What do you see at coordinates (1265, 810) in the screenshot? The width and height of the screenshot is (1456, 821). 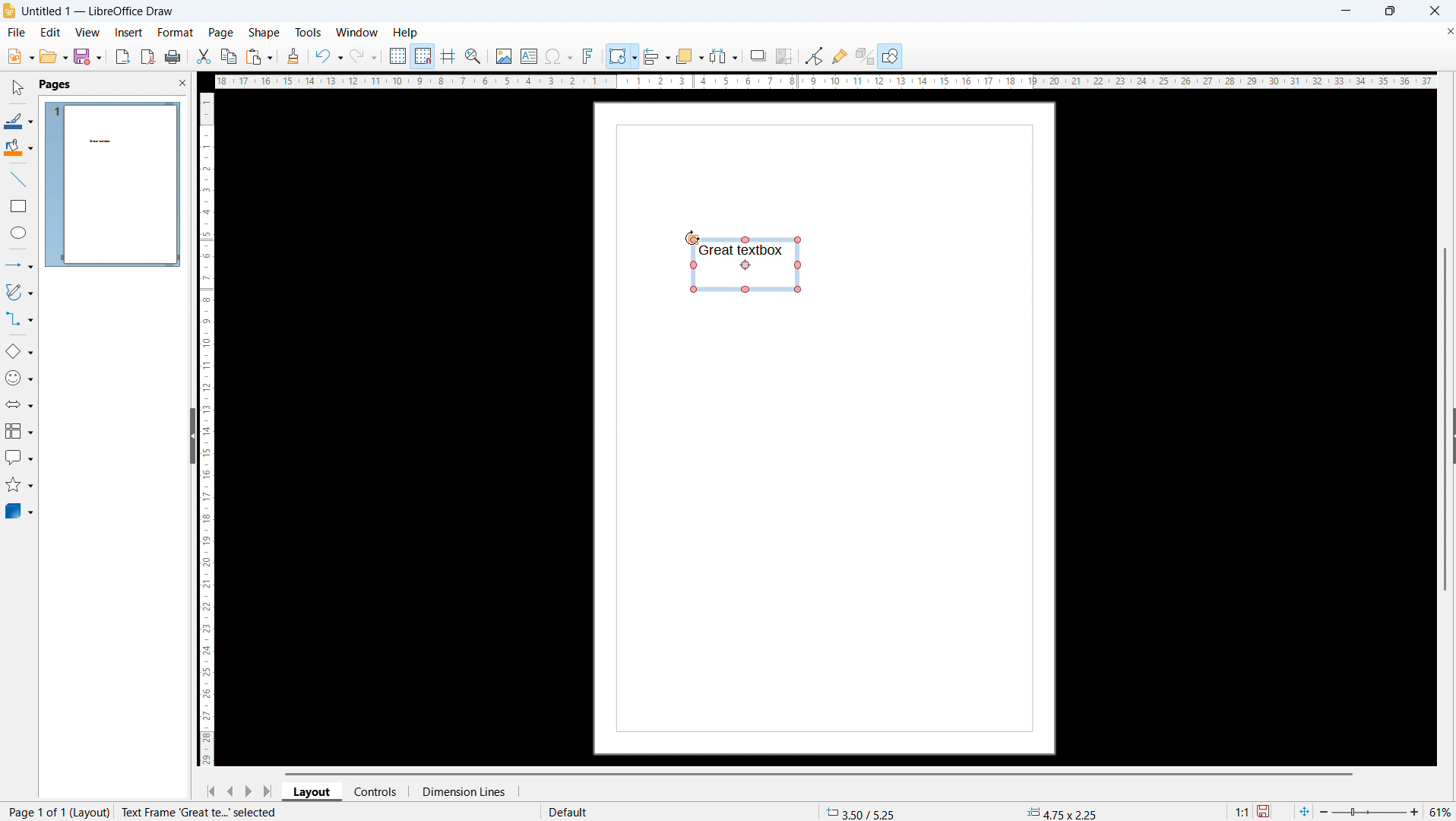 I see `save ` at bounding box center [1265, 810].